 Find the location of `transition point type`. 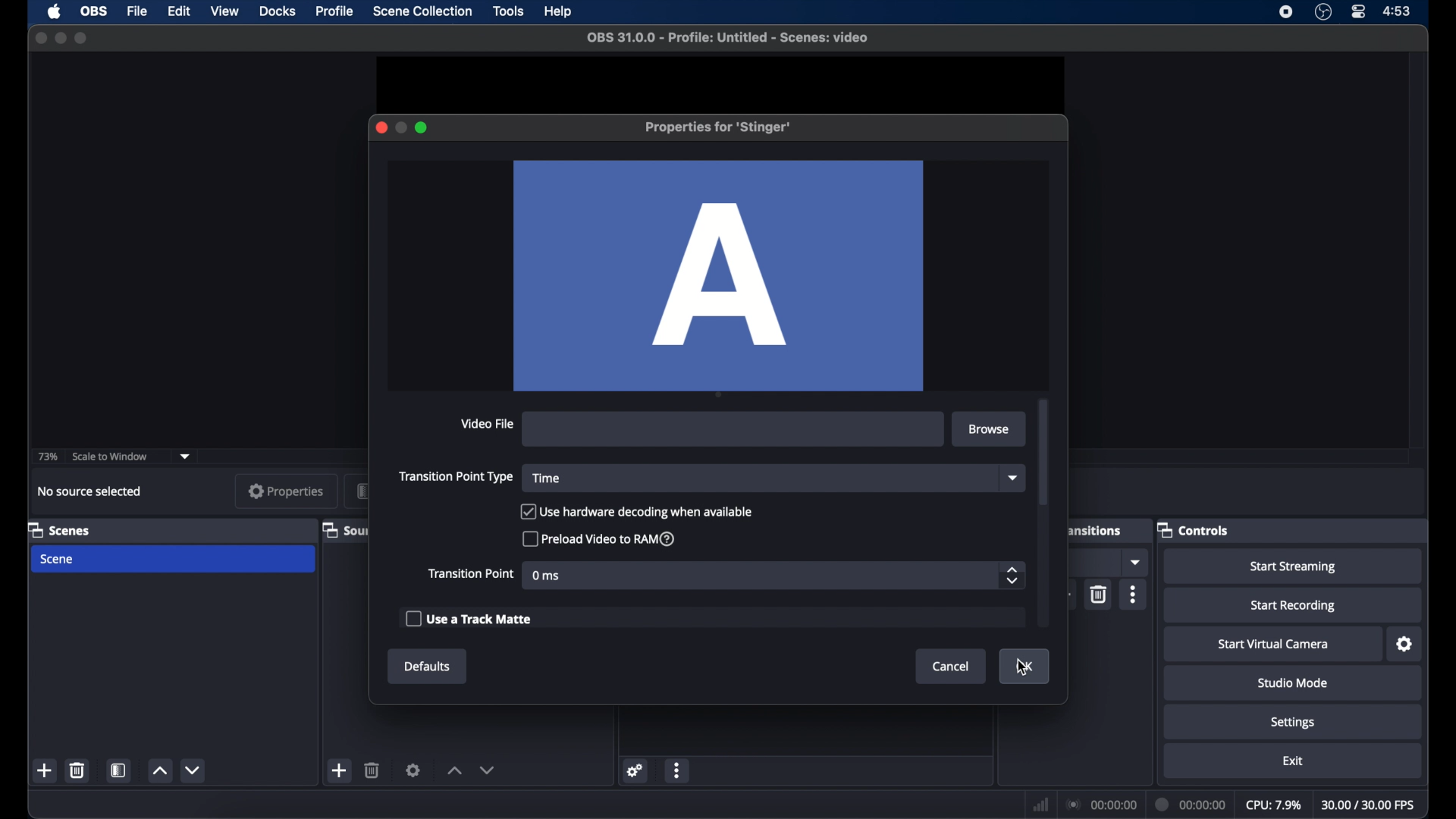

transition point type is located at coordinates (457, 476).